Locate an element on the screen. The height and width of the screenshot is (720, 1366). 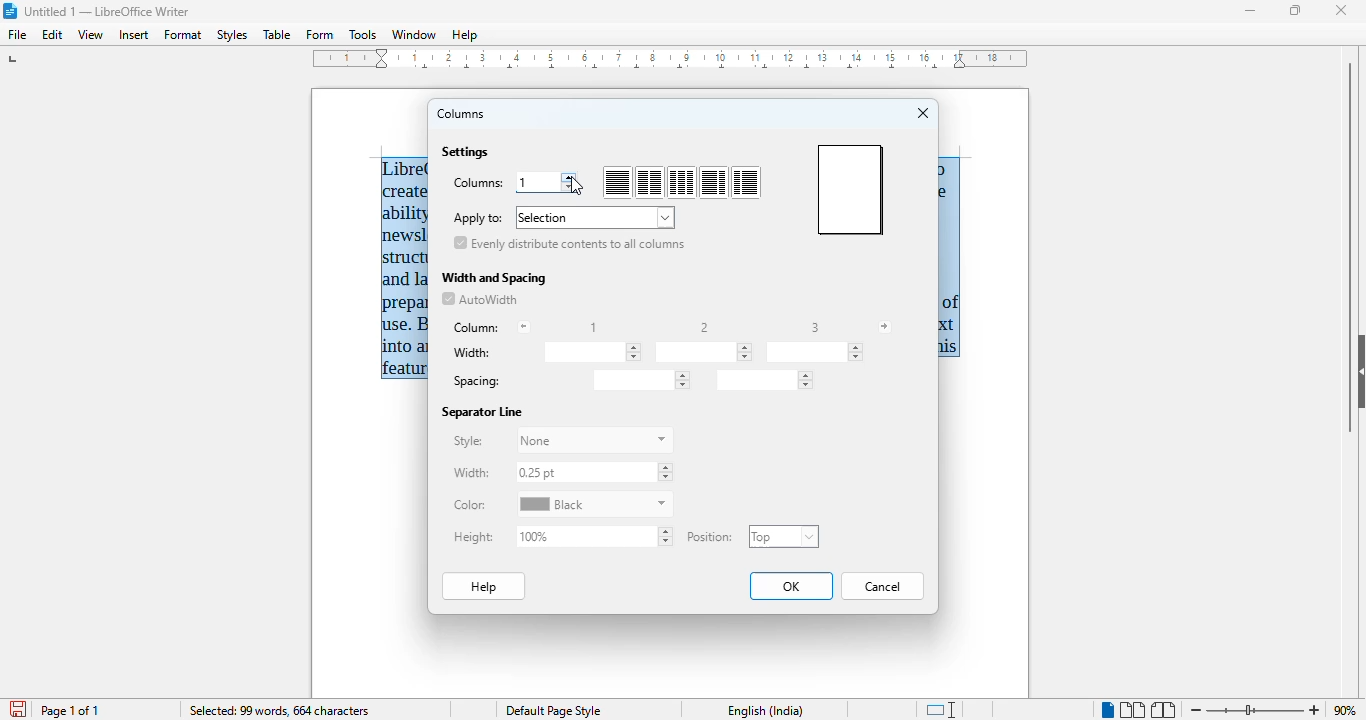
apply to: selection is located at coordinates (562, 217).